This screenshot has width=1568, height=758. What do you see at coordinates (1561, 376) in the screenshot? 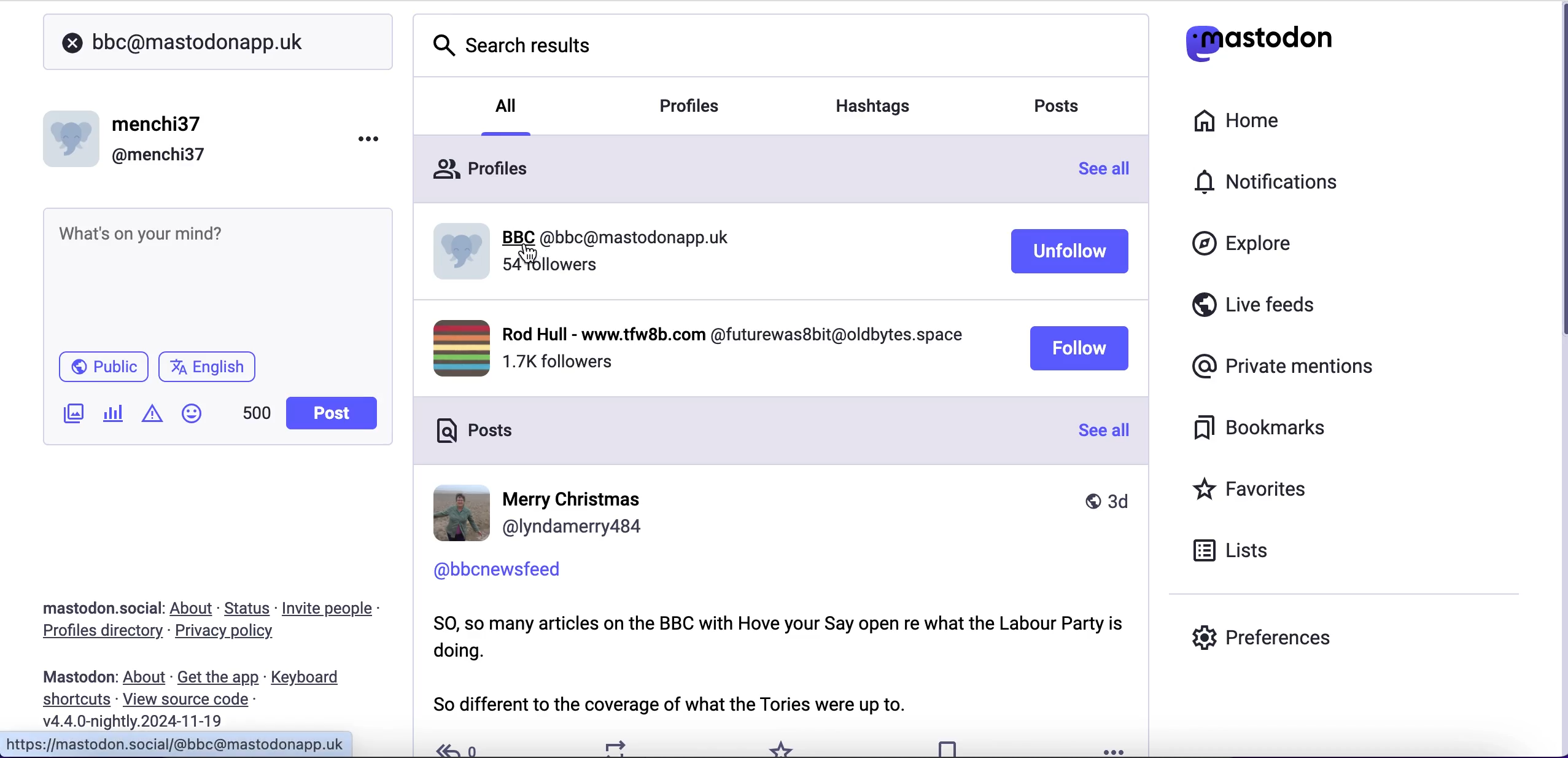
I see `scroll bar` at bounding box center [1561, 376].